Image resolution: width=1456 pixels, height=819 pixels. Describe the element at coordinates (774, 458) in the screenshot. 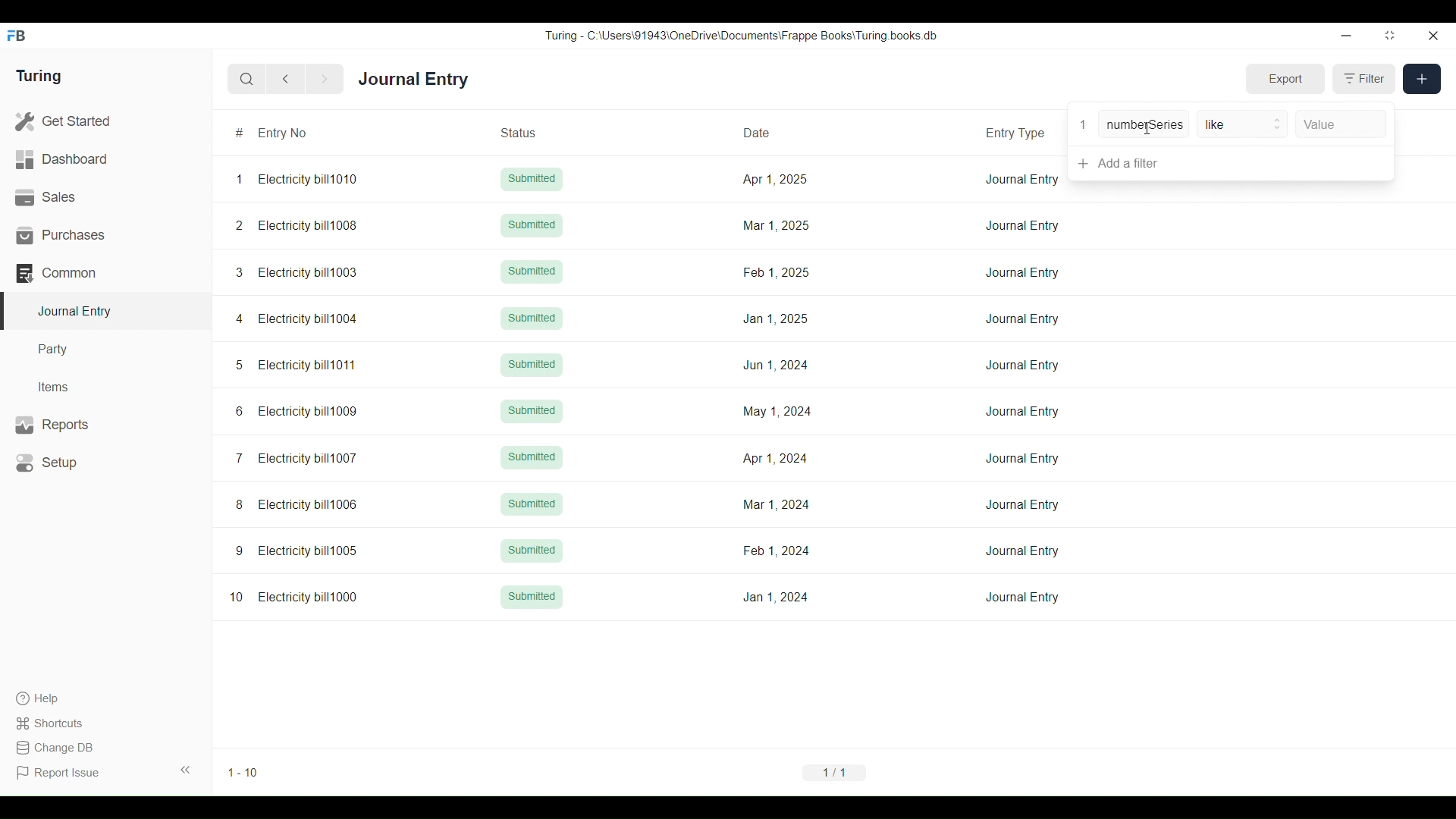

I see `Apr 1, 2024` at that location.